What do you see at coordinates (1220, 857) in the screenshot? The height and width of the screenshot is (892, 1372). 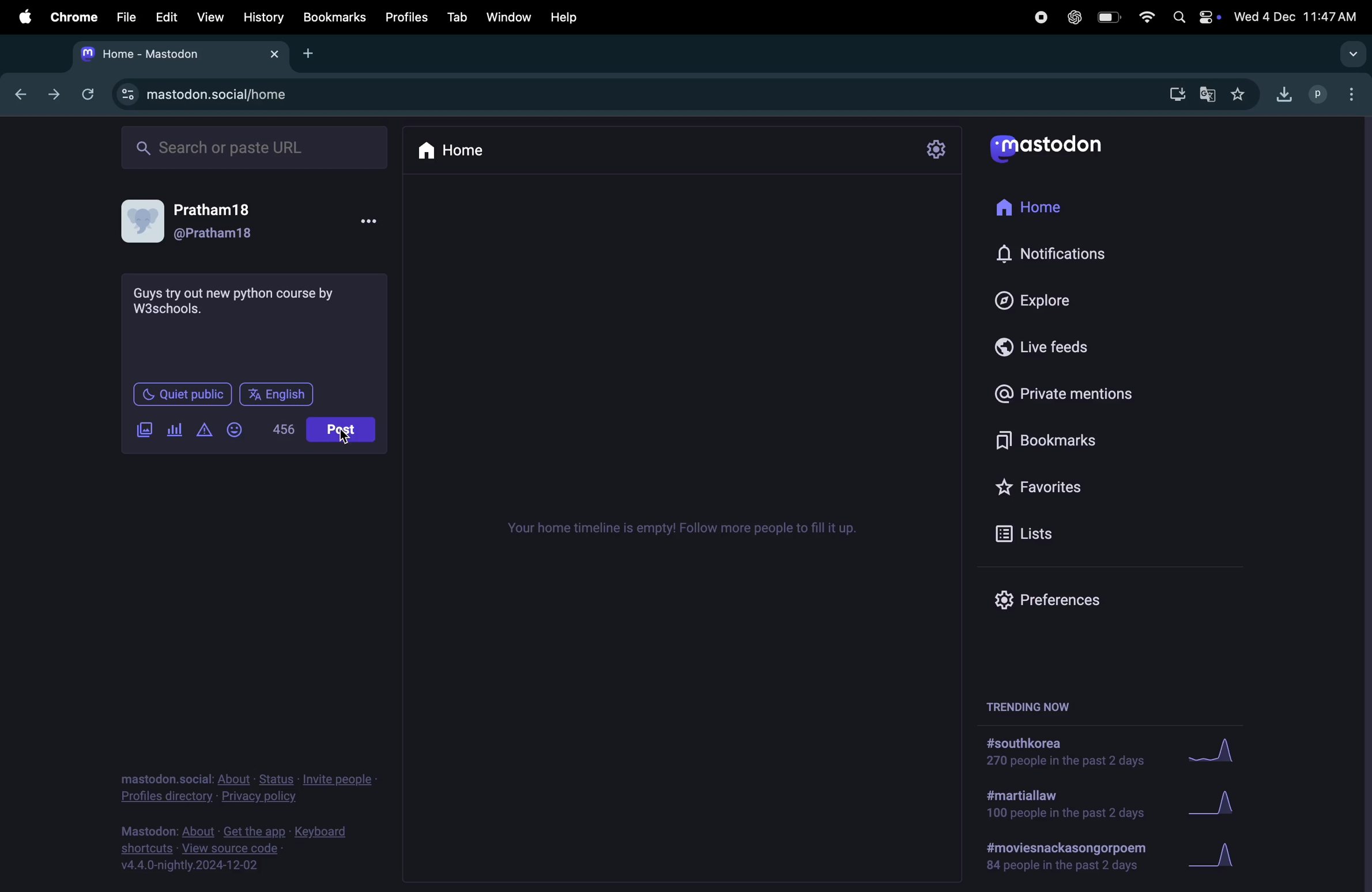 I see `graph` at bounding box center [1220, 857].